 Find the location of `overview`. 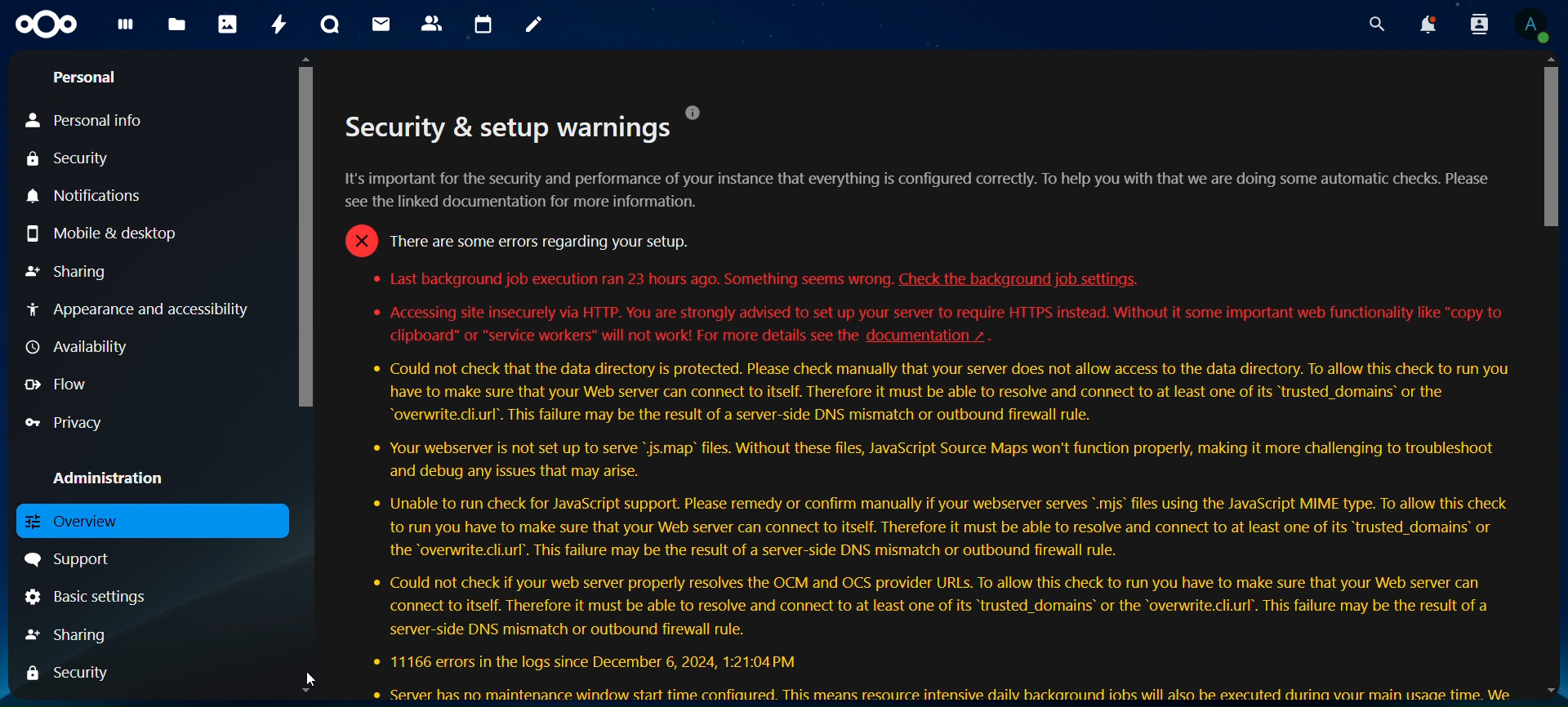

overview is located at coordinates (78, 521).